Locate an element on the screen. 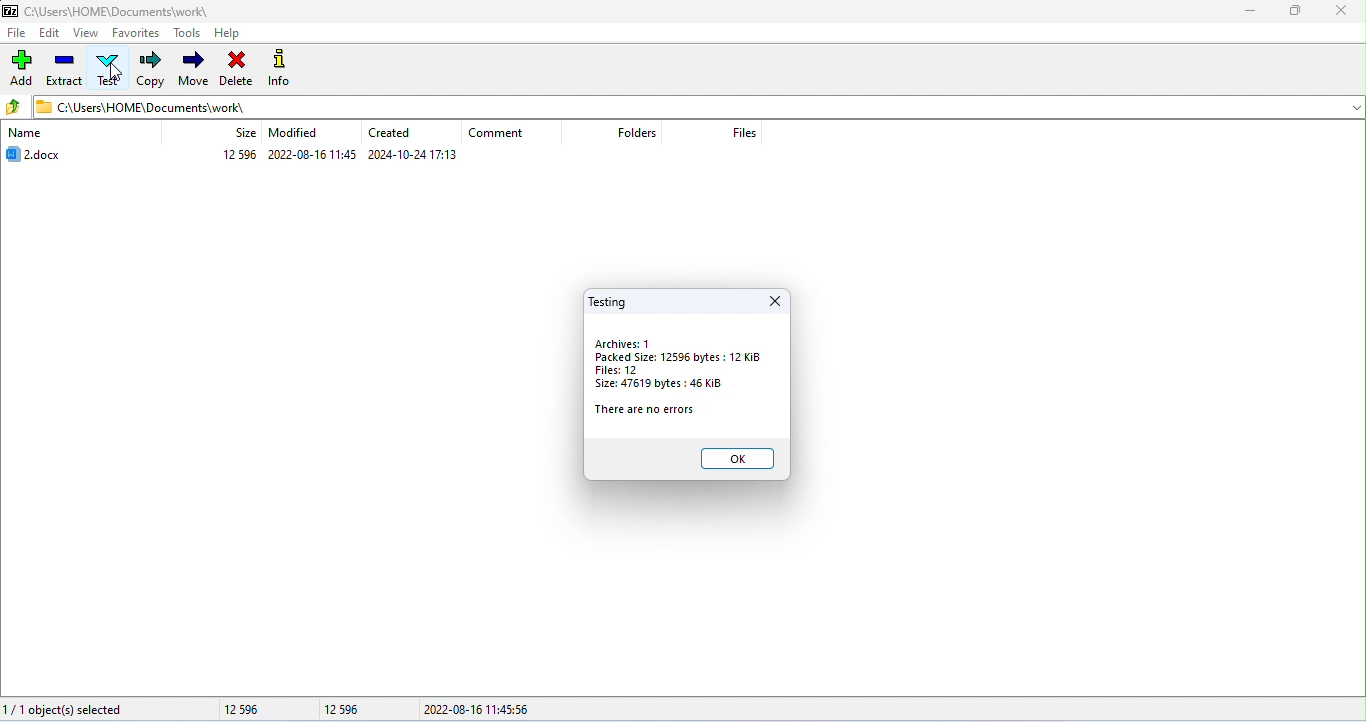 The height and width of the screenshot is (722, 1366). edit is located at coordinates (50, 32).